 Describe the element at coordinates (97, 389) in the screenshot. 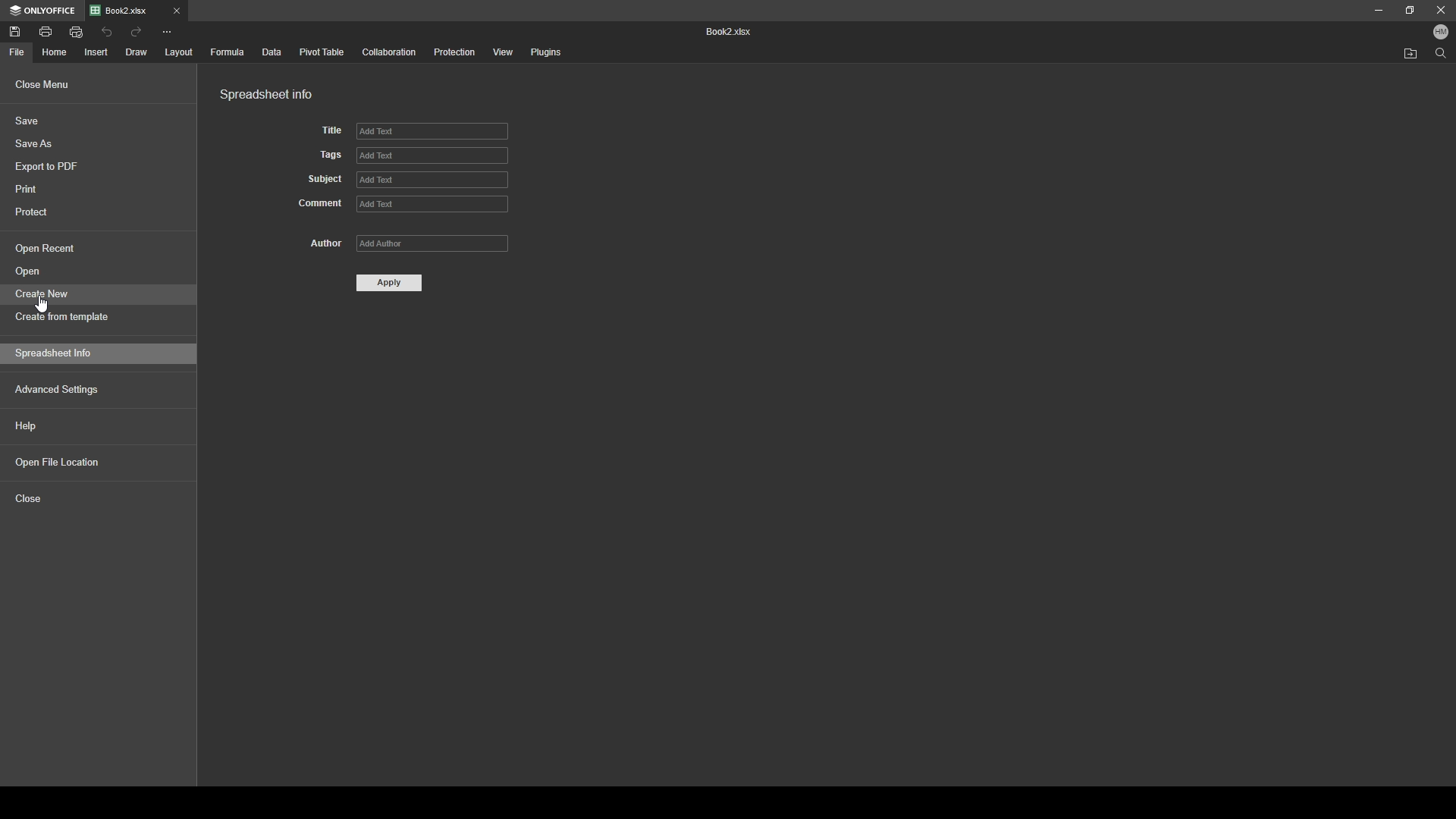

I see `advanced settings` at that location.